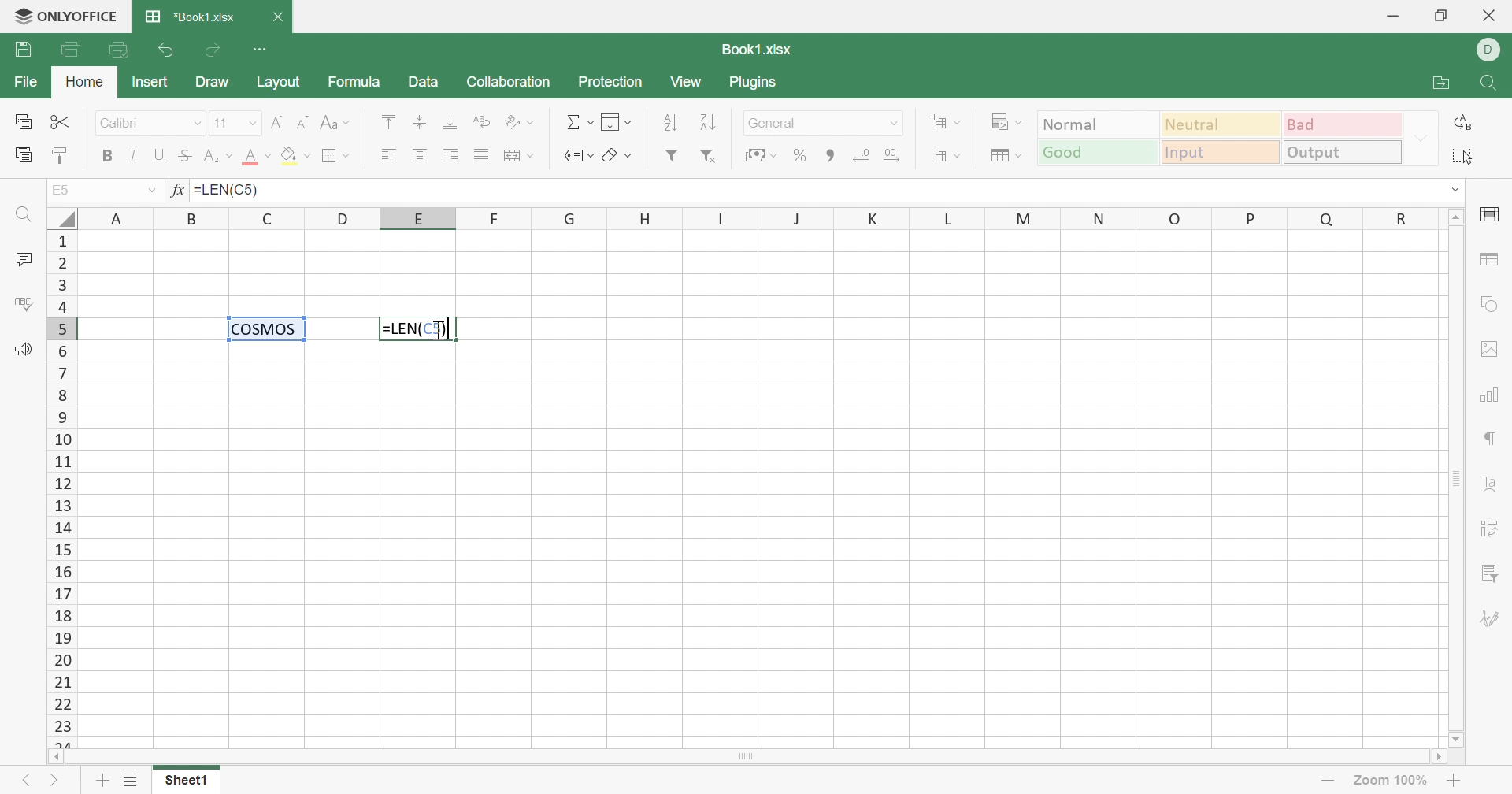  I want to click on Zoom out, so click(1326, 778).